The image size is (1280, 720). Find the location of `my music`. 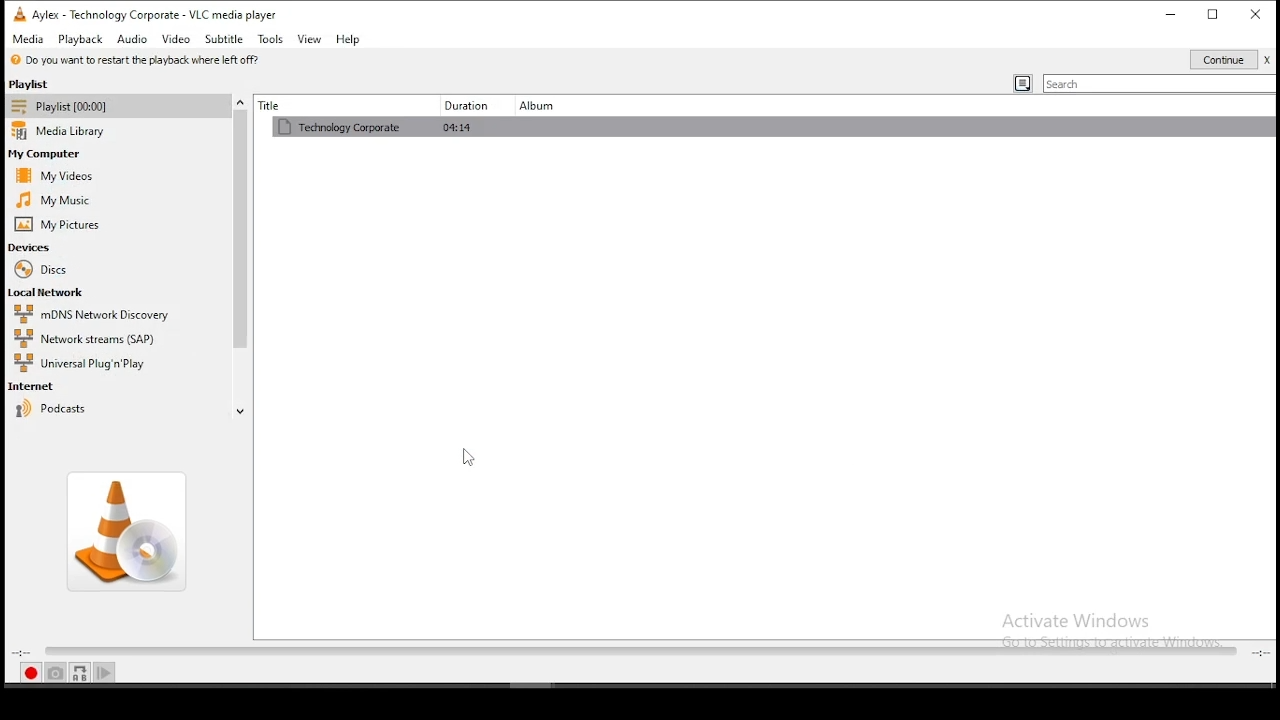

my music is located at coordinates (52, 197).